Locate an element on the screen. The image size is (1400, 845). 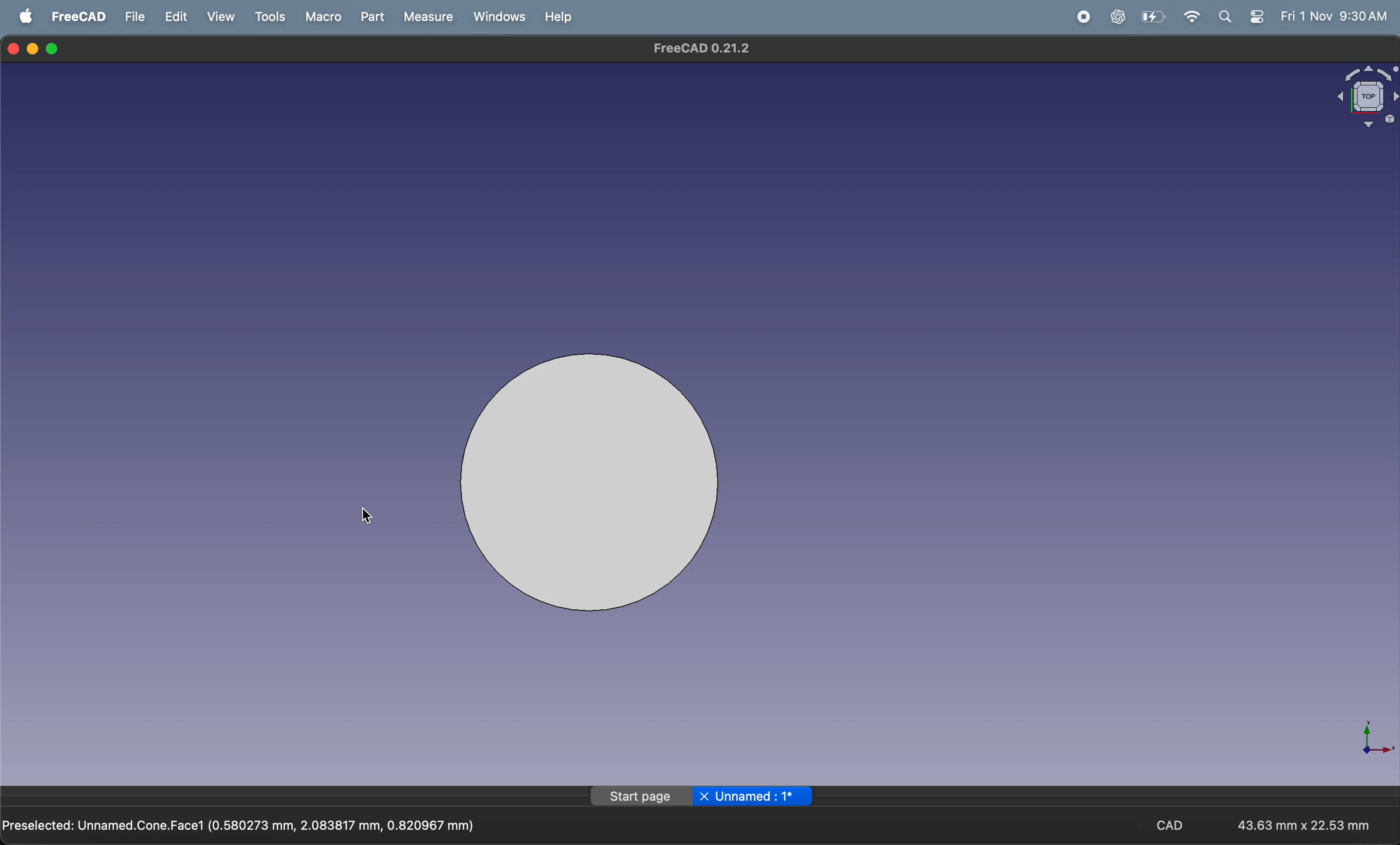
measure is located at coordinates (424, 17).